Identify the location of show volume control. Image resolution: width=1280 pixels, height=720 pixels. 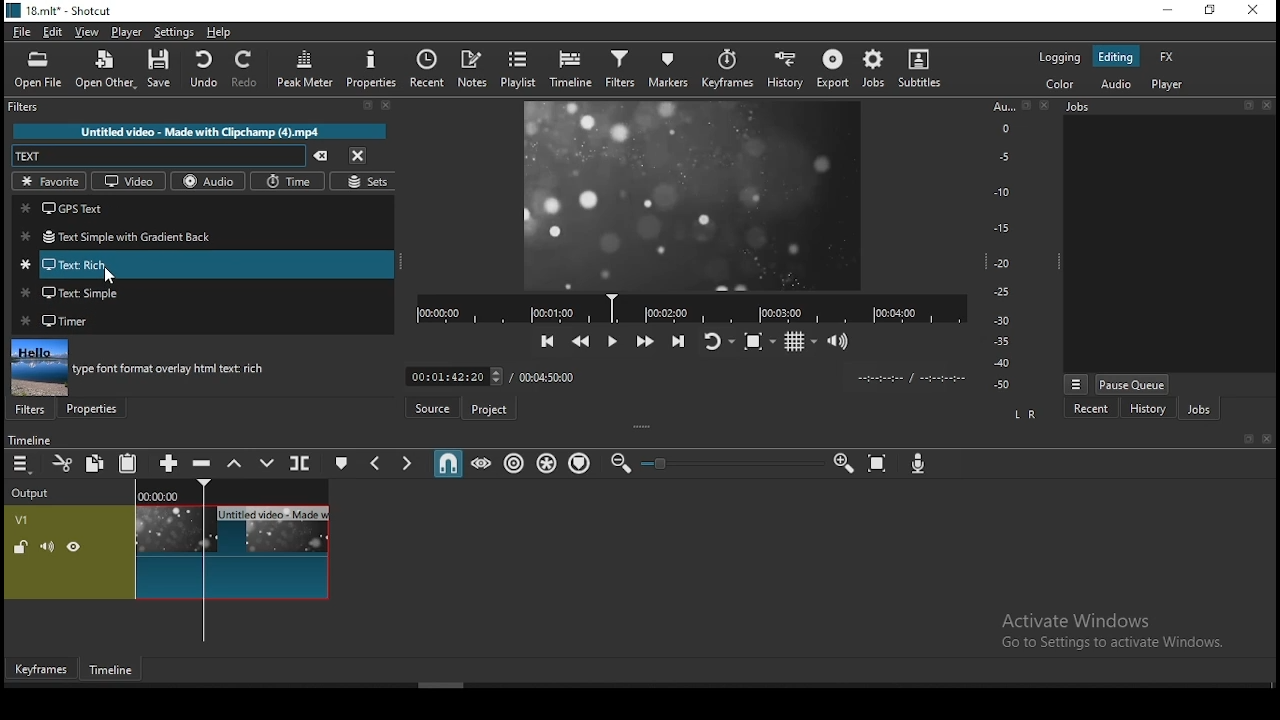
(839, 340).